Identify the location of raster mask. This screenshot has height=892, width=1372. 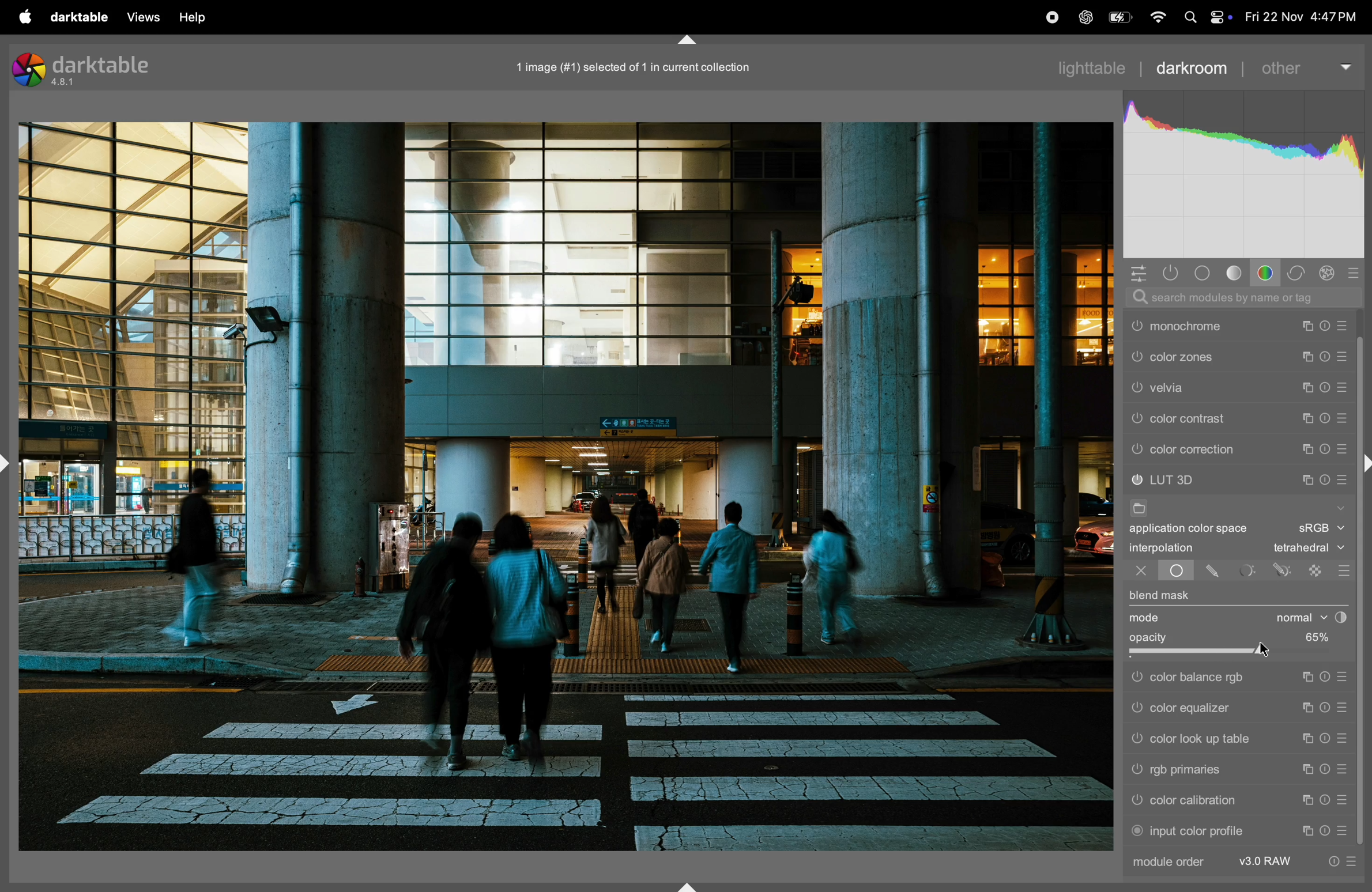
(1315, 570).